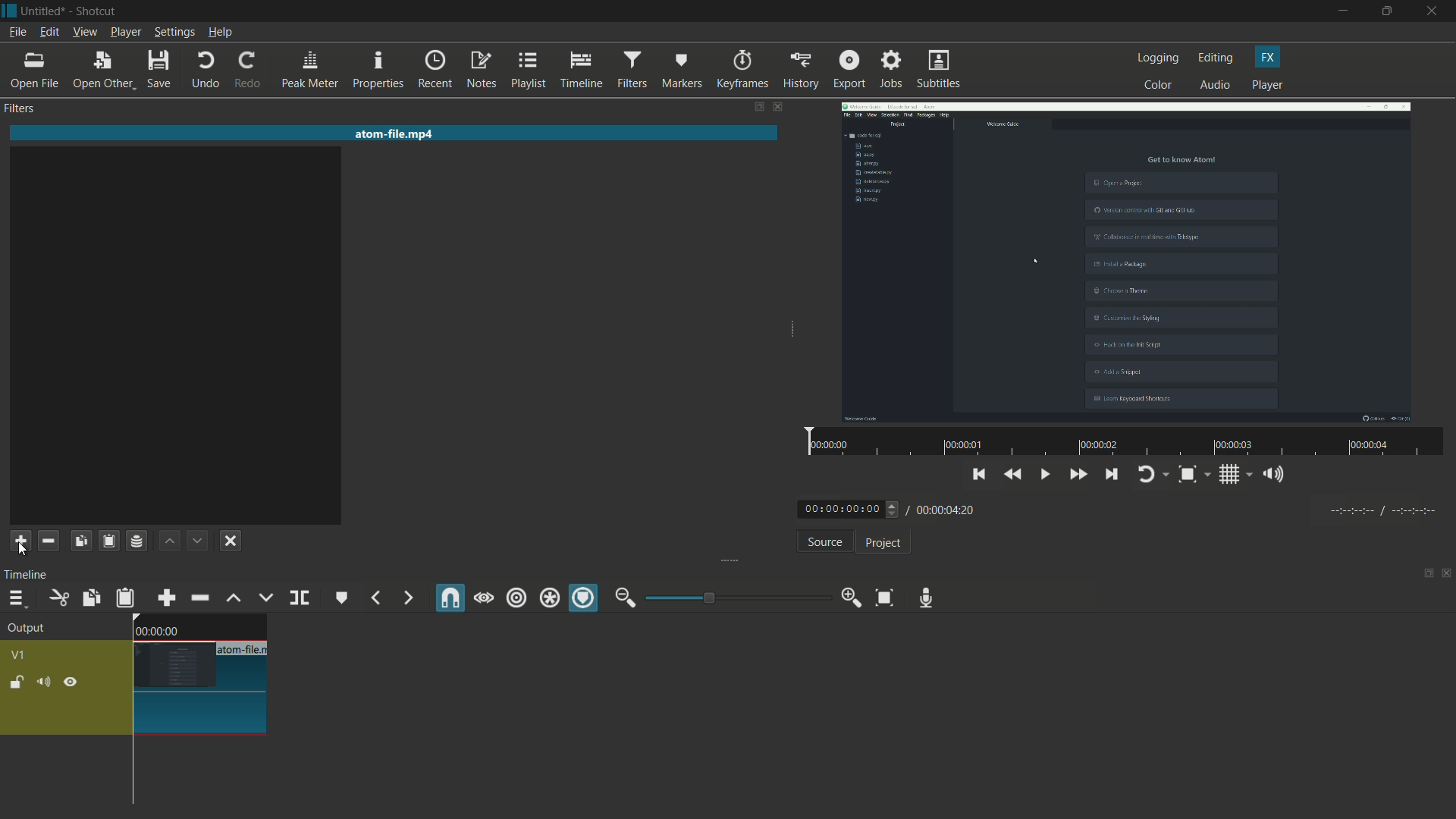 Image resolution: width=1456 pixels, height=819 pixels. What do you see at coordinates (97, 12) in the screenshot?
I see `Shotcut` at bounding box center [97, 12].